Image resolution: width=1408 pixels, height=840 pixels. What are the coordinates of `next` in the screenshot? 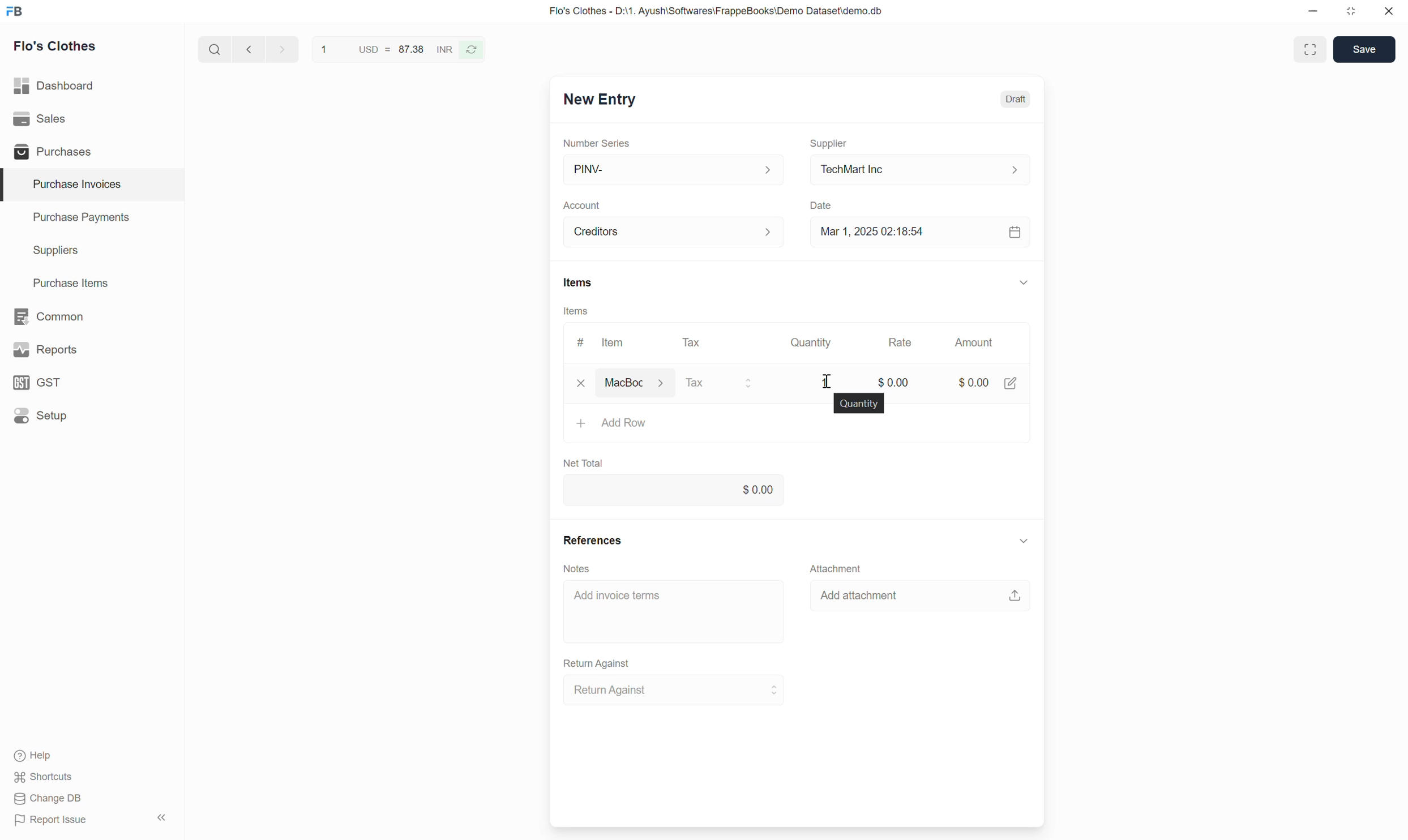 It's located at (284, 49).